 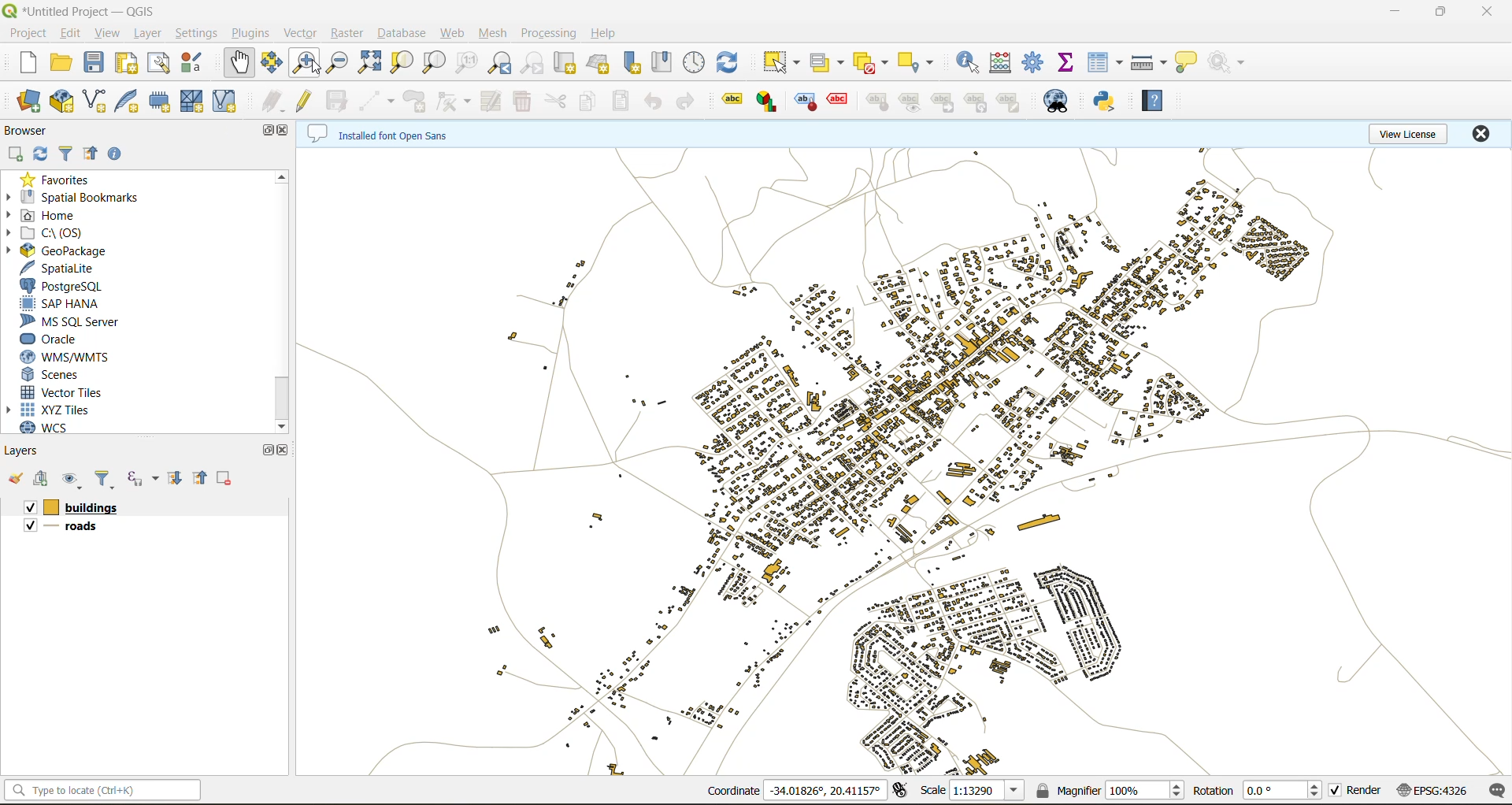 I want to click on c\:os, so click(x=57, y=233).